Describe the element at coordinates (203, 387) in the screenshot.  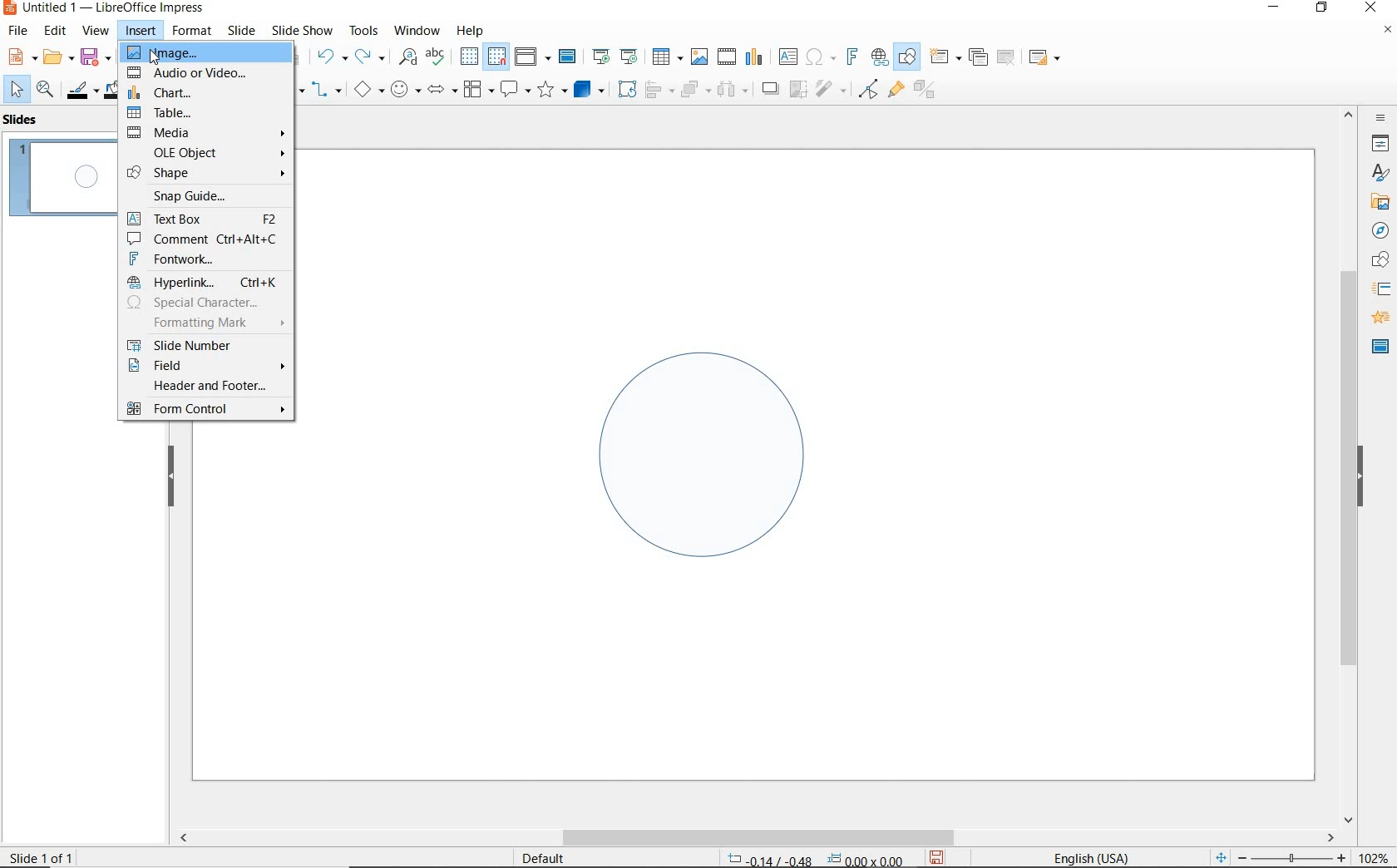
I see `HEADER & FOOTER` at that location.